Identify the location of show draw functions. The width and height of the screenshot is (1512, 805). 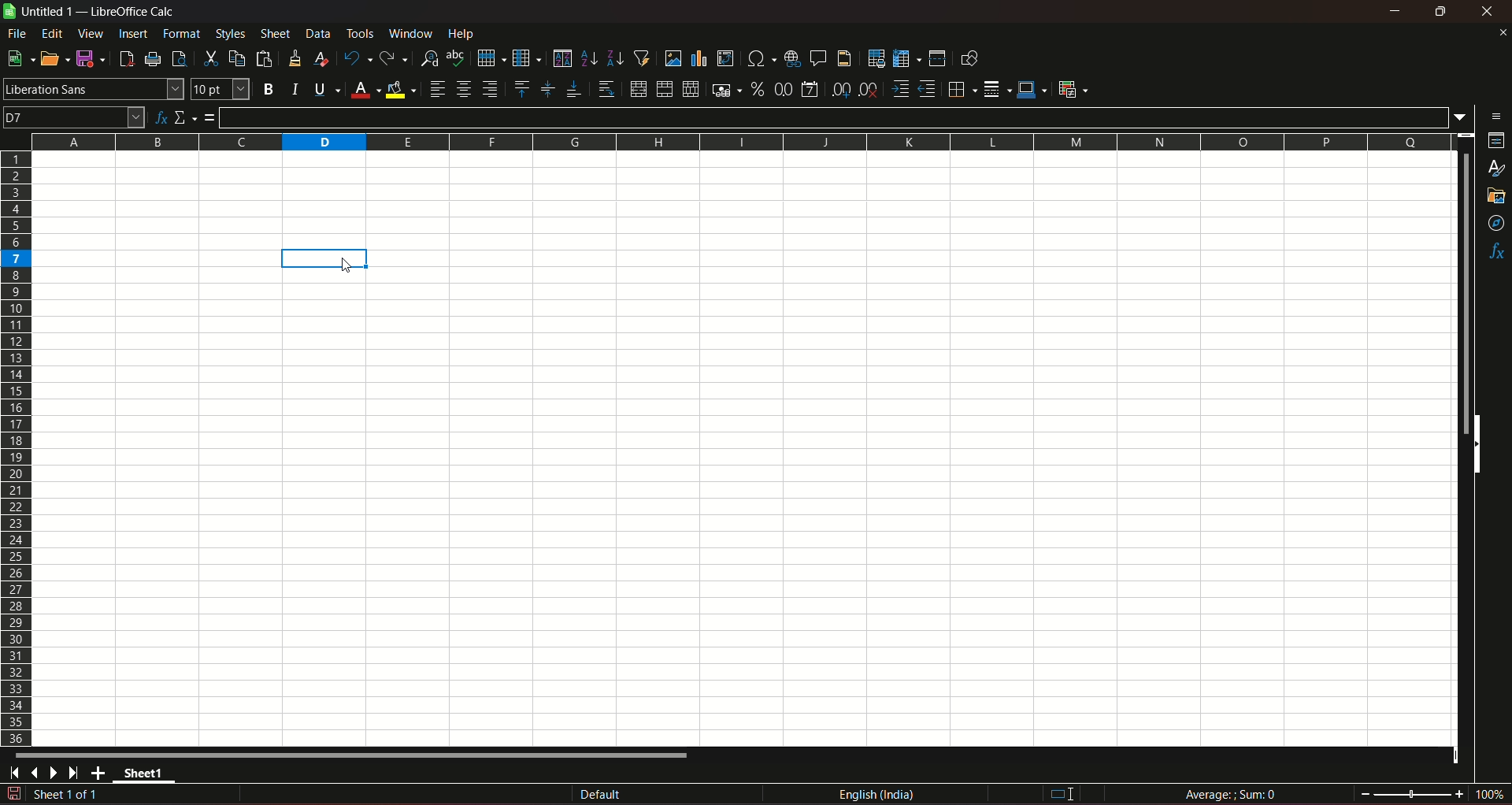
(969, 57).